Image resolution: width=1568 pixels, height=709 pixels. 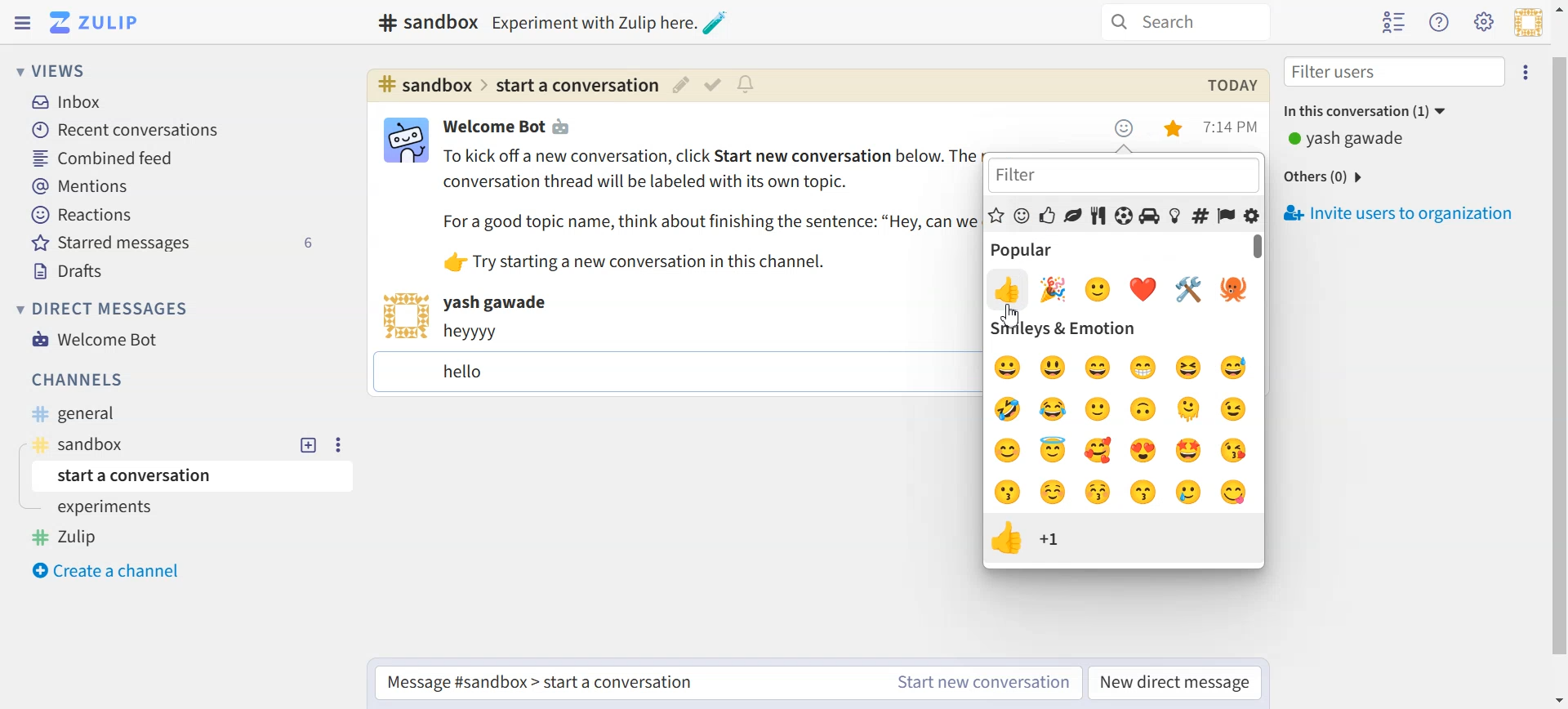 I want to click on Personal menu, so click(x=1528, y=22).